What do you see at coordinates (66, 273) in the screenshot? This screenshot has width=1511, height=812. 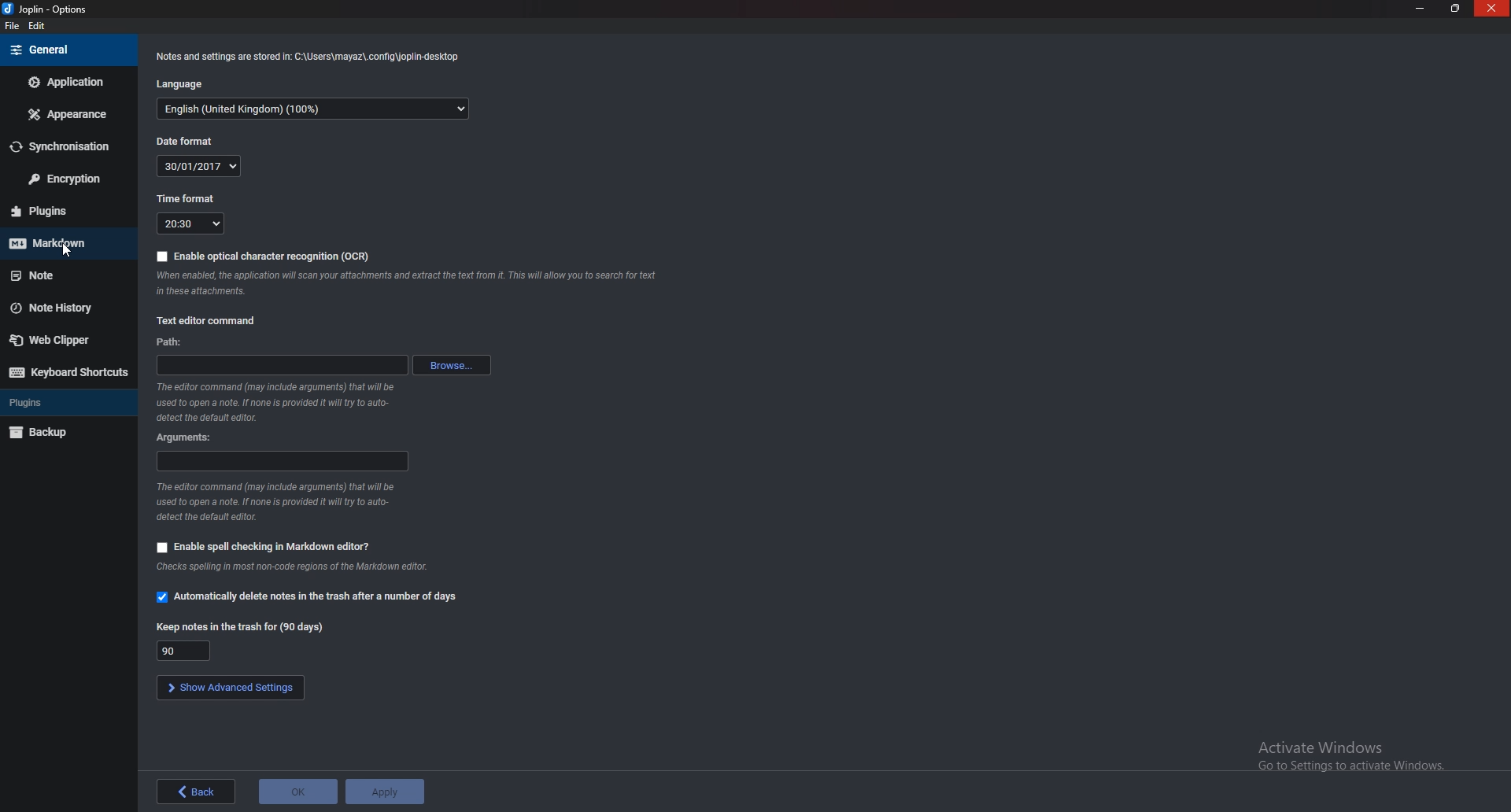 I see `Note` at bounding box center [66, 273].